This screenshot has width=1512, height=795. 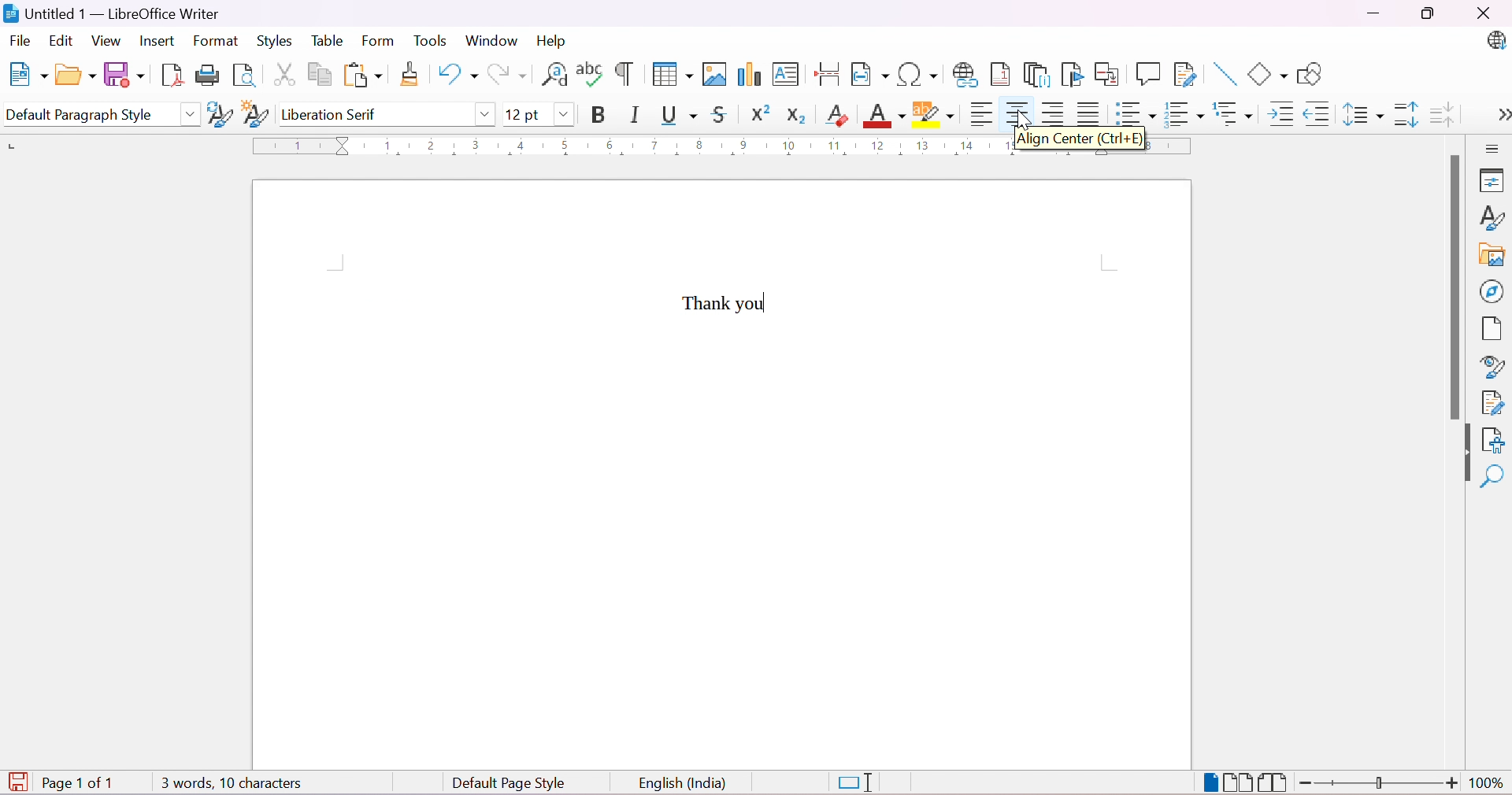 What do you see at coordinates (963, 73) in the screenshot?
I see `Insert Hyperlink` at bounding box center [963, 73].